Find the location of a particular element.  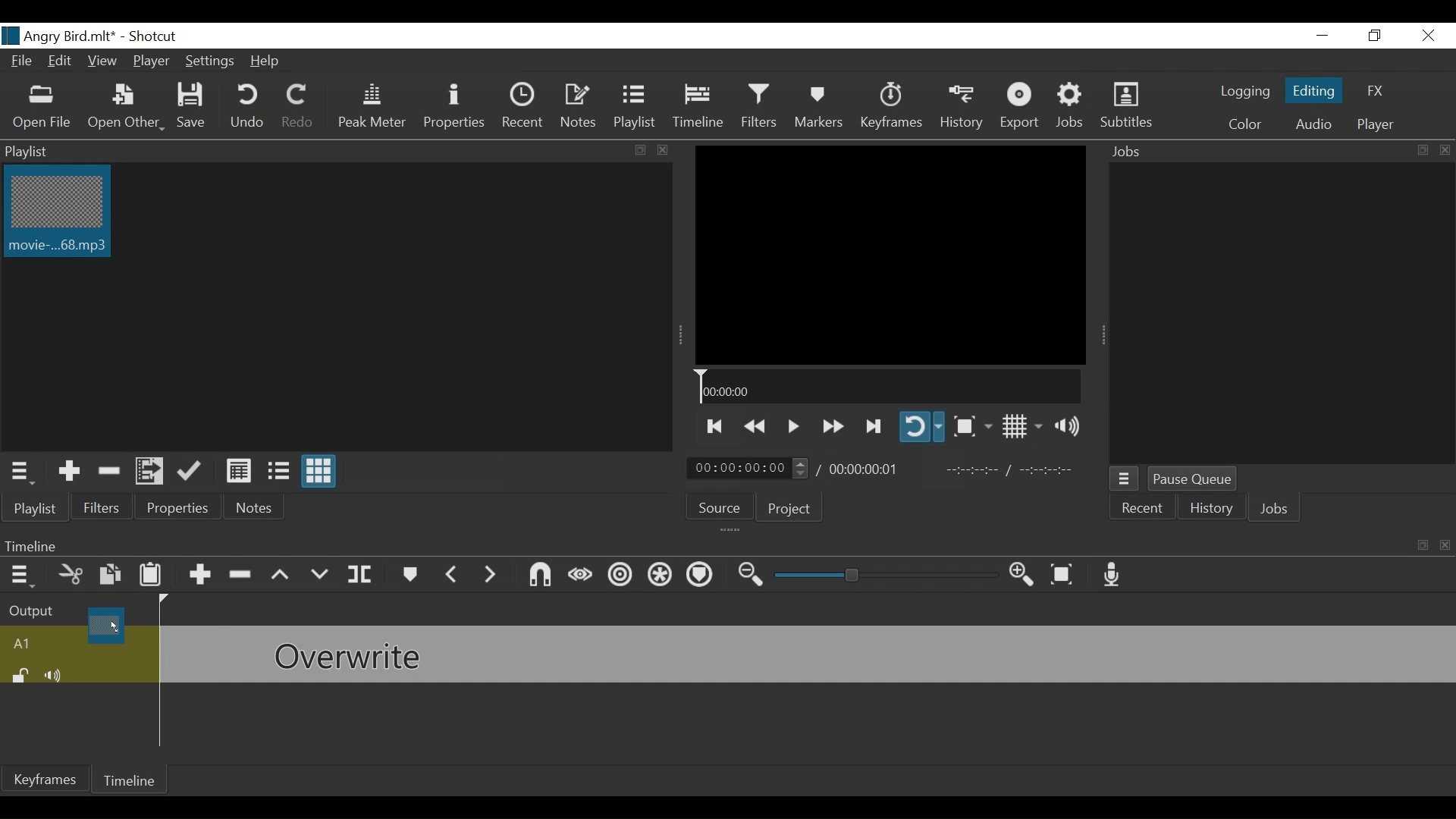

Total Duration is located at coordinates (868, 468).